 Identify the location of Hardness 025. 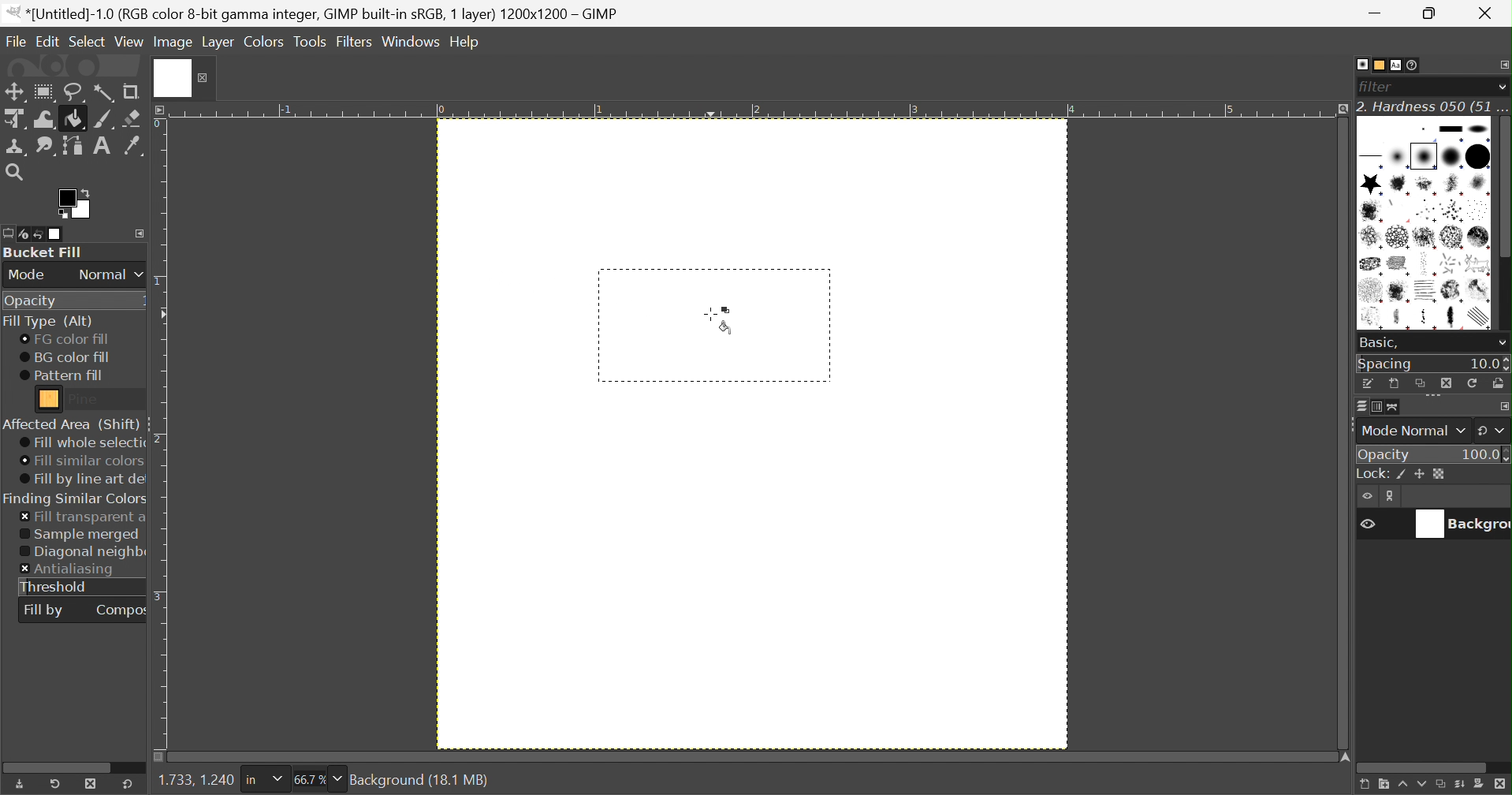
(1398, 157).